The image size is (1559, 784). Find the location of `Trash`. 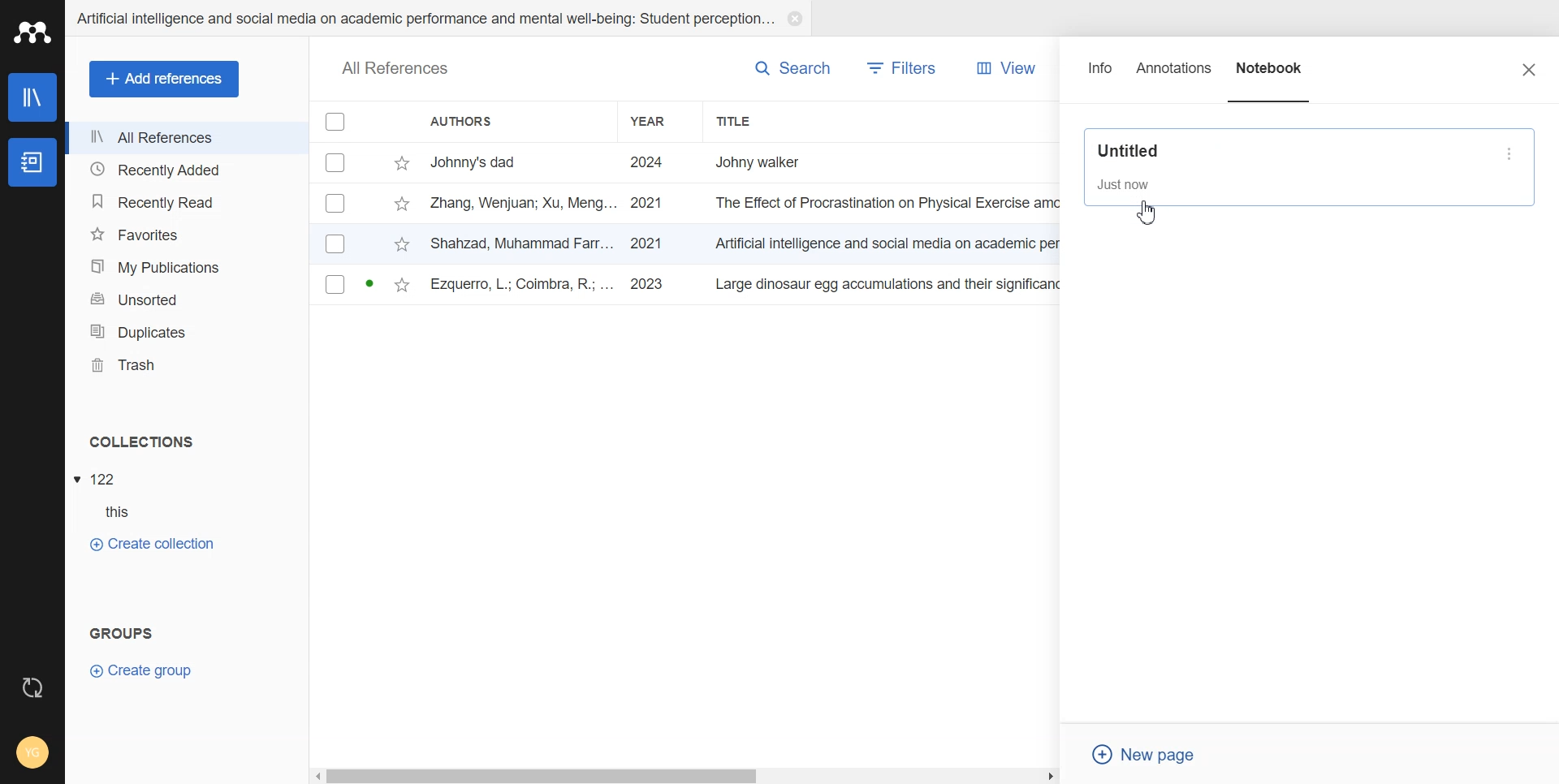

Trash is located at coordinates (187, 365).